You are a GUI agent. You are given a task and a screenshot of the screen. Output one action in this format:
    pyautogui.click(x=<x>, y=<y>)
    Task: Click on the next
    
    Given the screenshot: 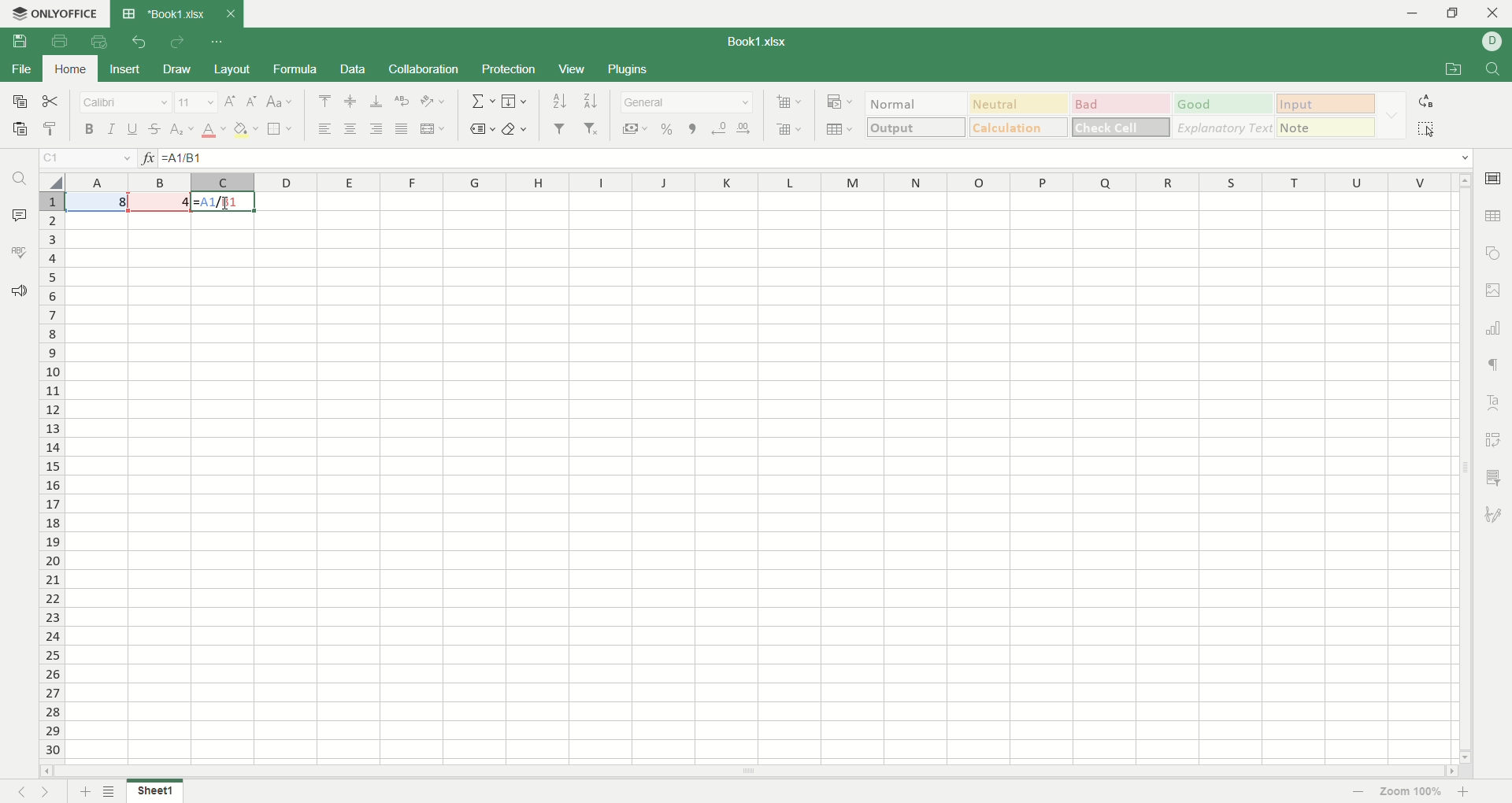 What is the action you would take?
    pyautogui.click(x=44, y=790)
    